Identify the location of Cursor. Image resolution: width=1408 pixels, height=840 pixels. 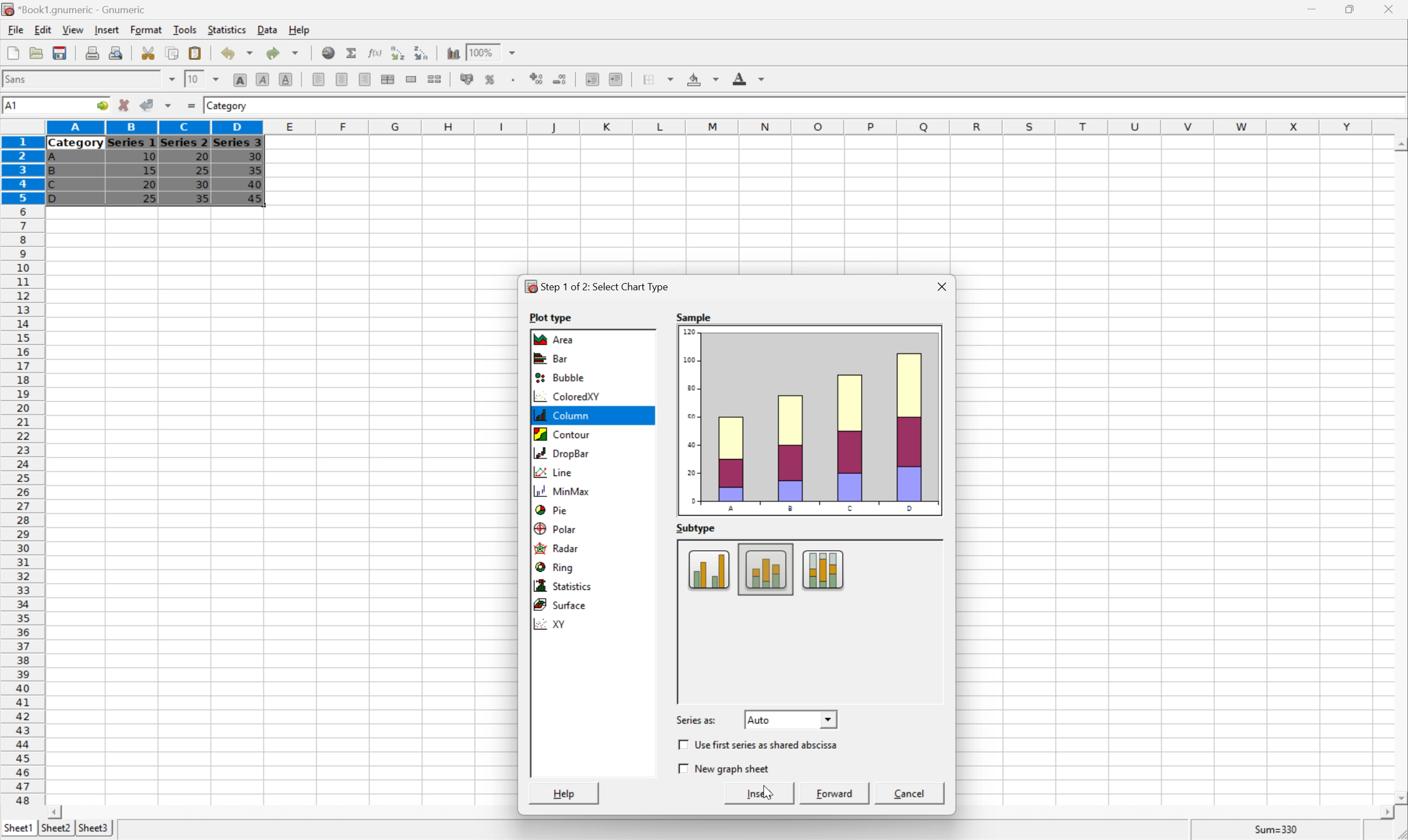
(768, 793).